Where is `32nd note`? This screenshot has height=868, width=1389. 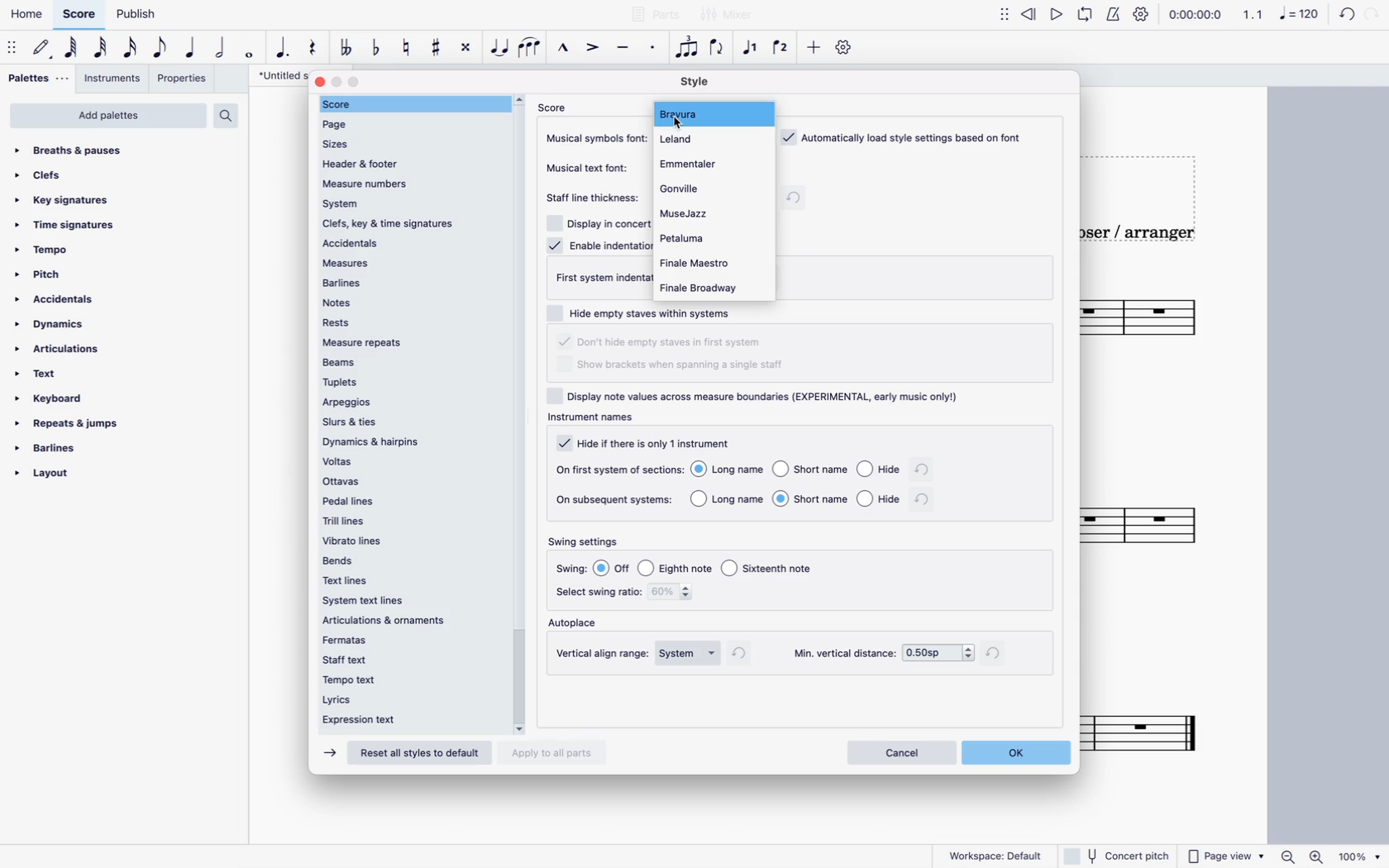 32nd note is located at coordinates (102, 51).